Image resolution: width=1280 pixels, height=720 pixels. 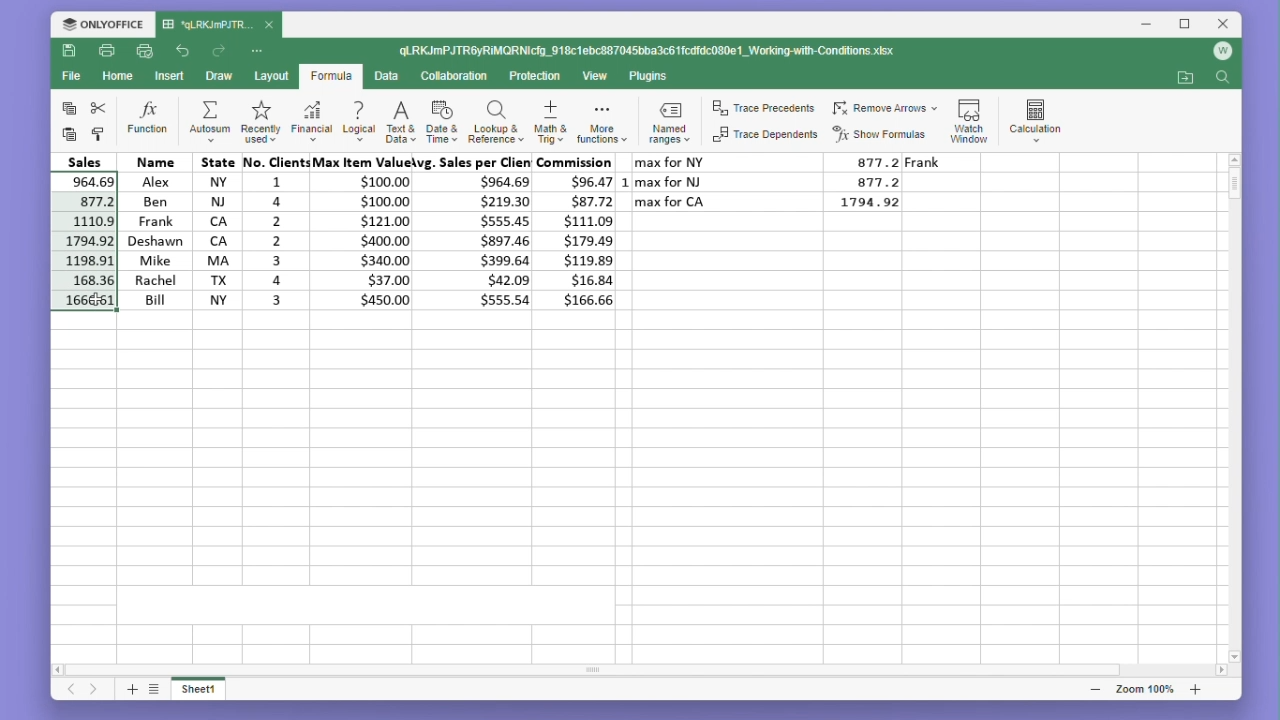 I want to click on close, so click(x=270, y=24).